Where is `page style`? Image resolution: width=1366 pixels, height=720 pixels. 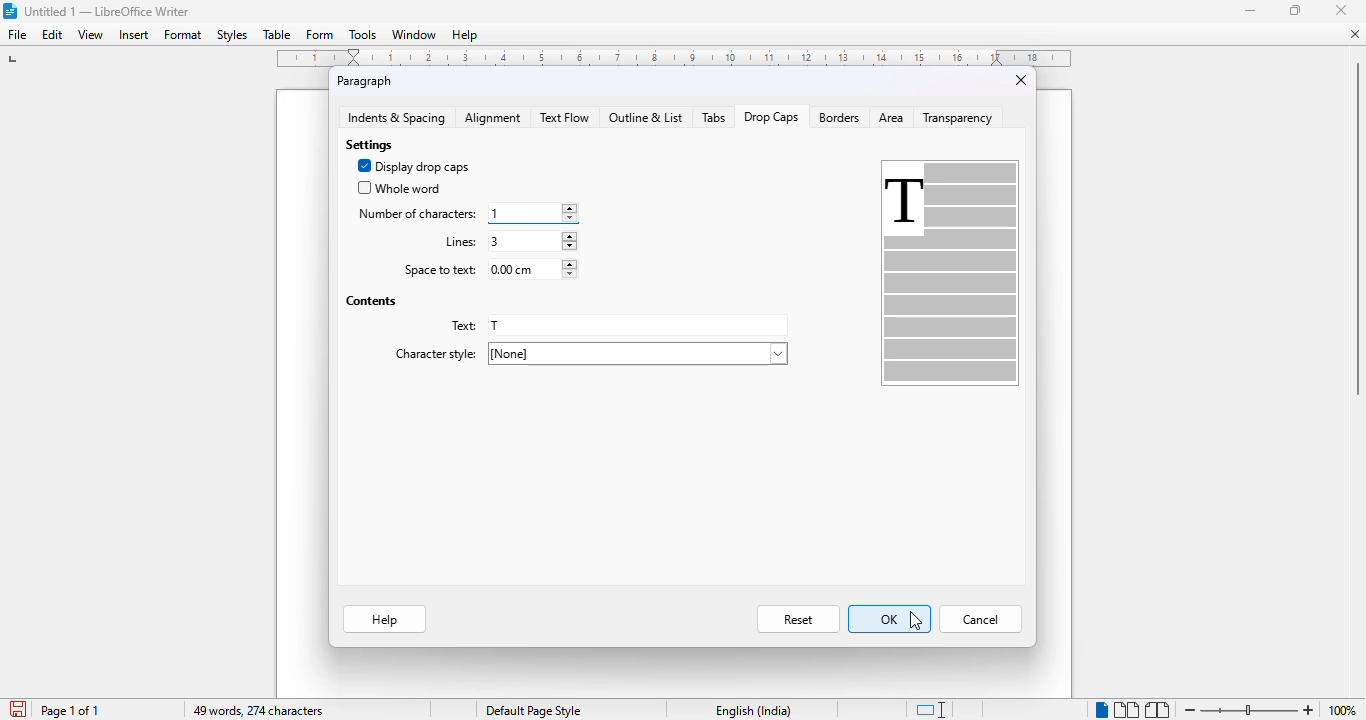 page style is located at coordinates (533, 710).